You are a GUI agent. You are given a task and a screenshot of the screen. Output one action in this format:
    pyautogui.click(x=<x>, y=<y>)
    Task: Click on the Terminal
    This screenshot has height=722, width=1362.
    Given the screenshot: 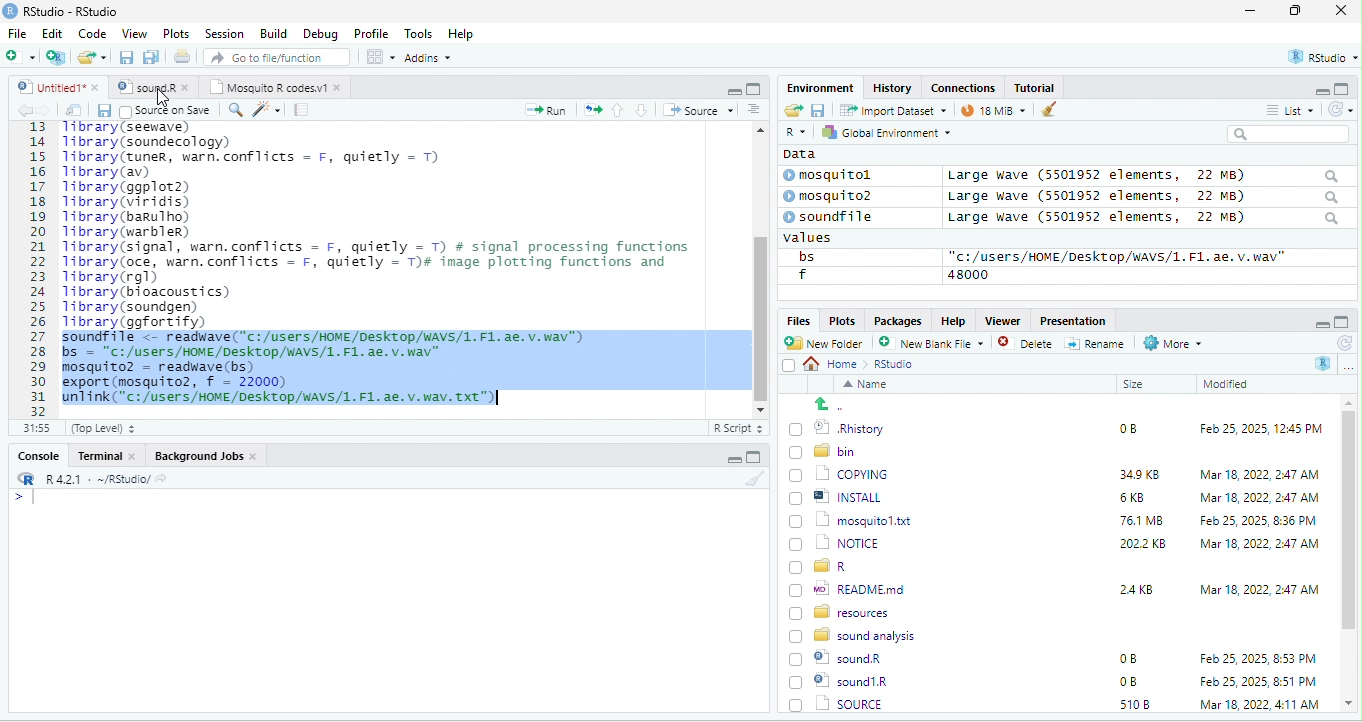 What is the action you would take?
    pyautogui.click(x=107, y=455)
    